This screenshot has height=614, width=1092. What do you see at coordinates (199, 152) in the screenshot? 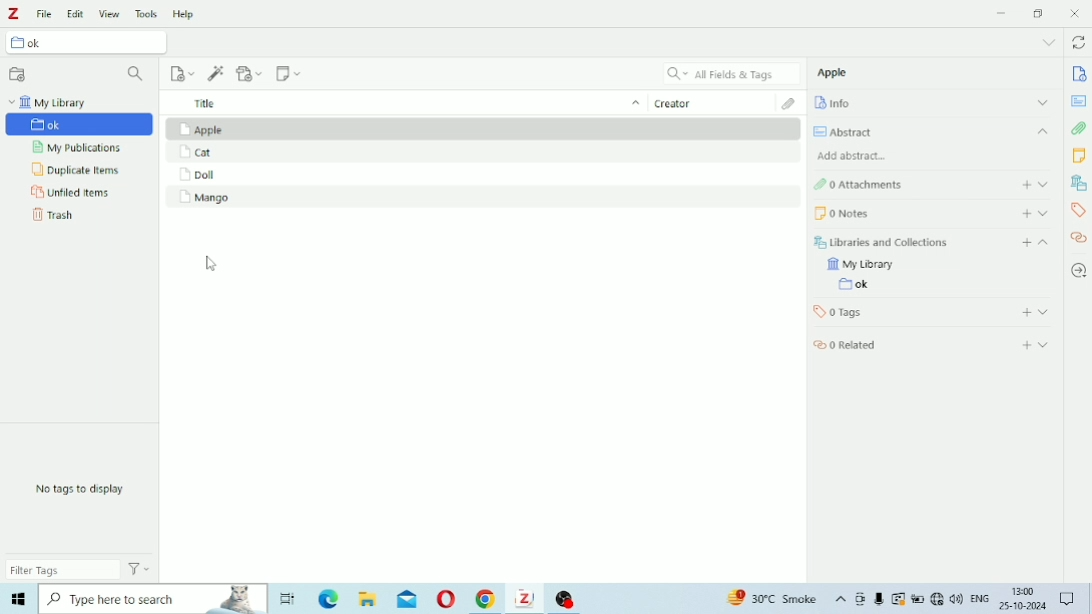
I see `Cat` at bounding box center [199, 152].